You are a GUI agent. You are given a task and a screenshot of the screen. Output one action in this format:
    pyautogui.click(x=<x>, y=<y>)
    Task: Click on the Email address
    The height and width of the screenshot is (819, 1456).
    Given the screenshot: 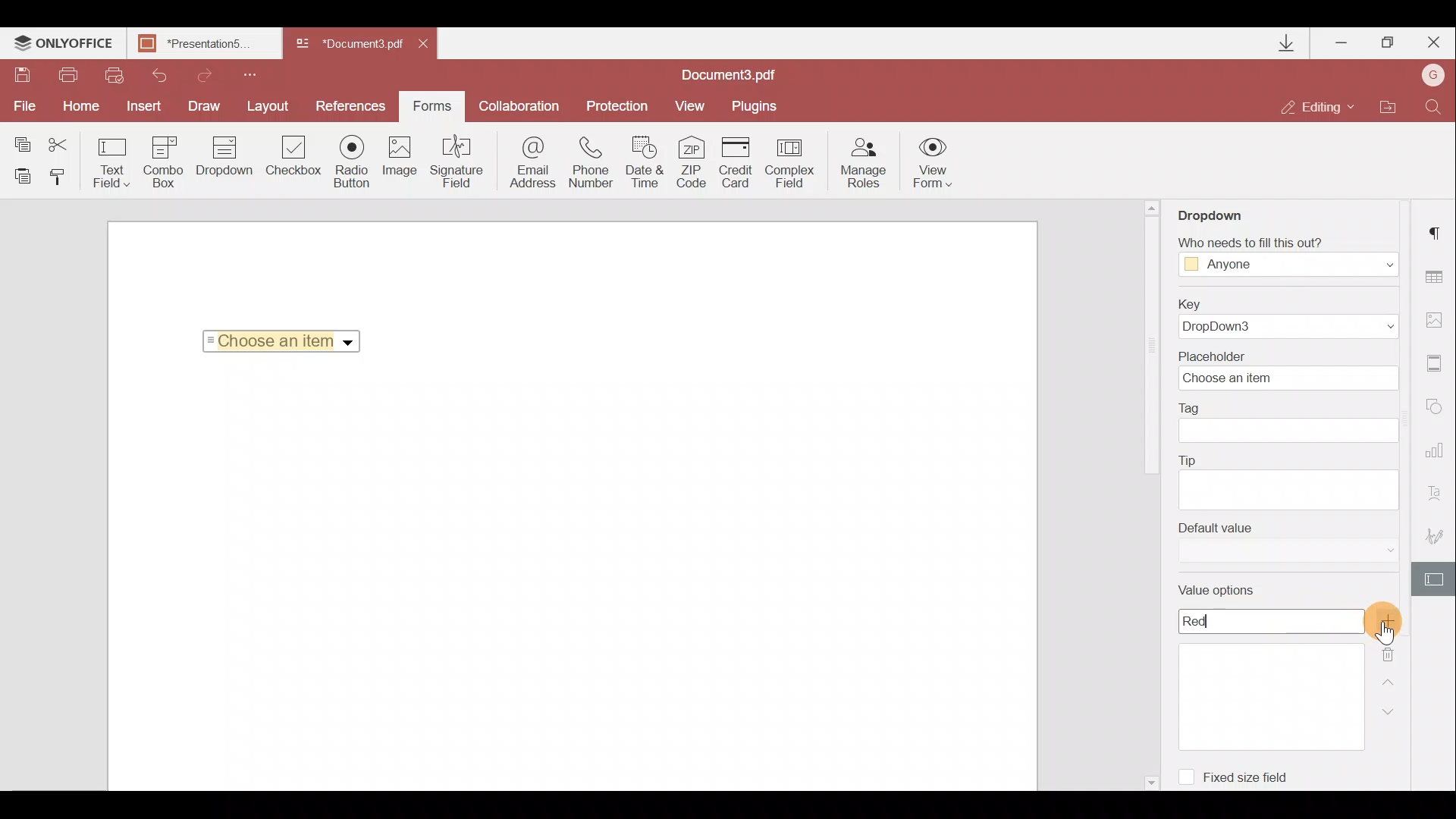 What is the action you would take?
    pyautogui.click(x=527, y=166)
    